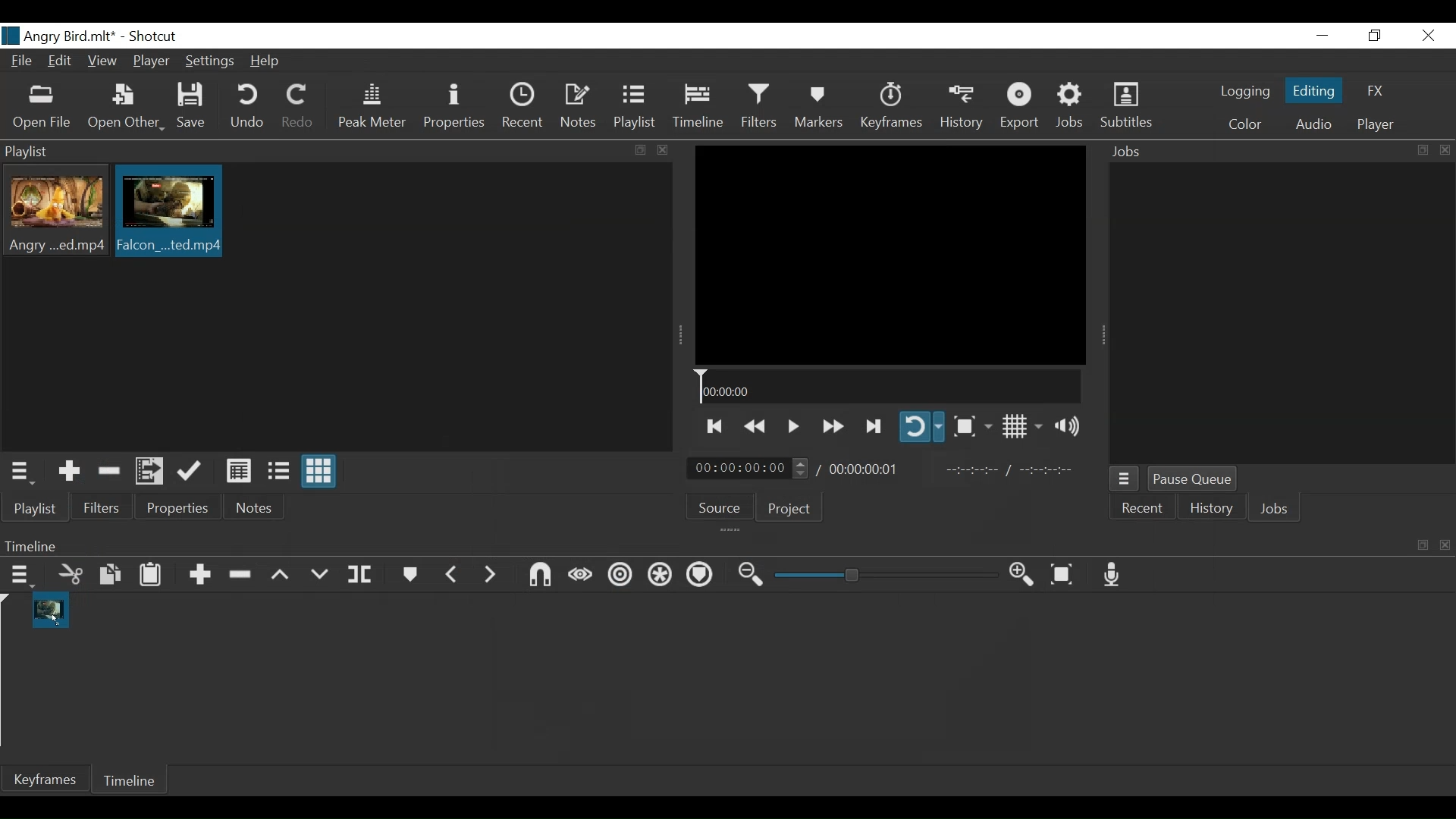 This screenshot has width=1456, height=819. What do you see at coordinates (1015, 470) in the screenshot?
I see `In point` at bounding box center [1015, 470].